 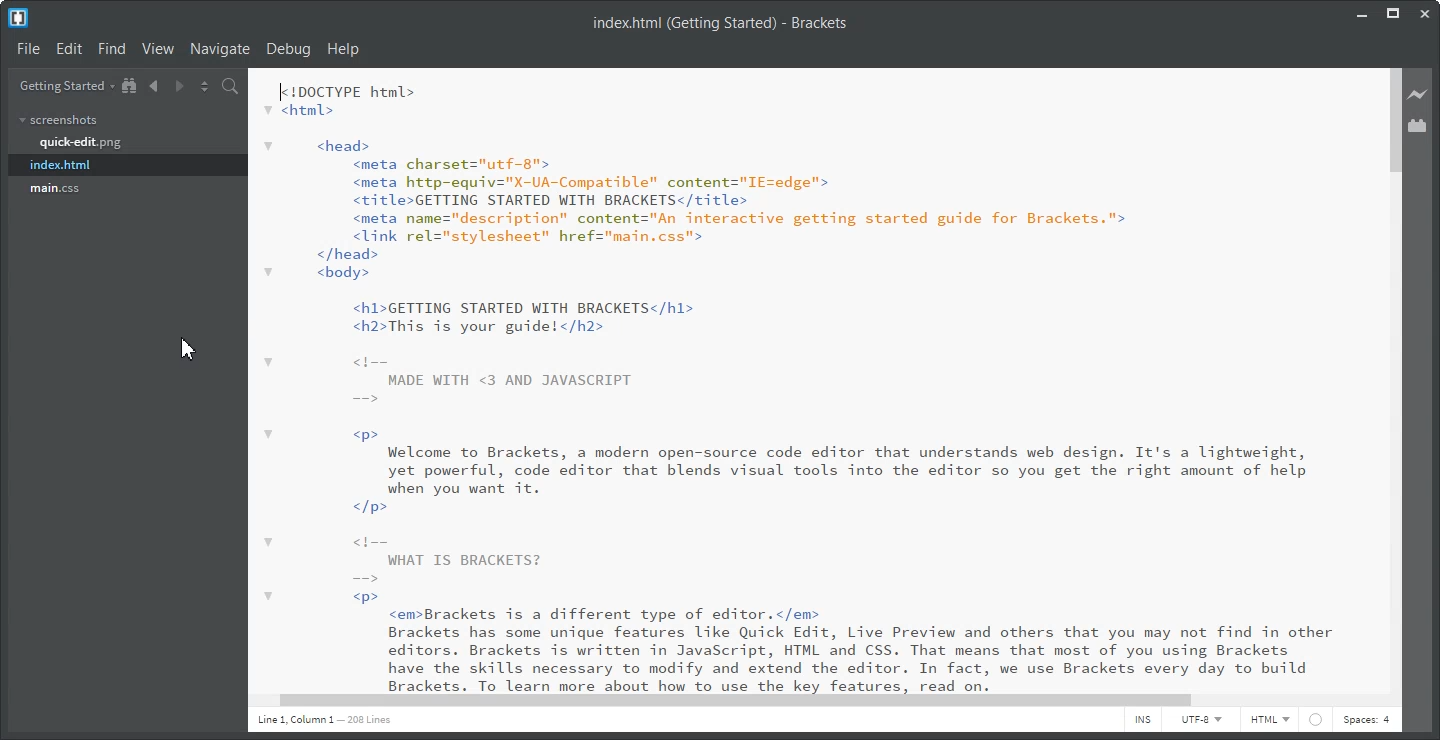 What do you see at coordinates (1271, 721) in the screenshot?
I see `HTML` at bounding box center [1271, 721].